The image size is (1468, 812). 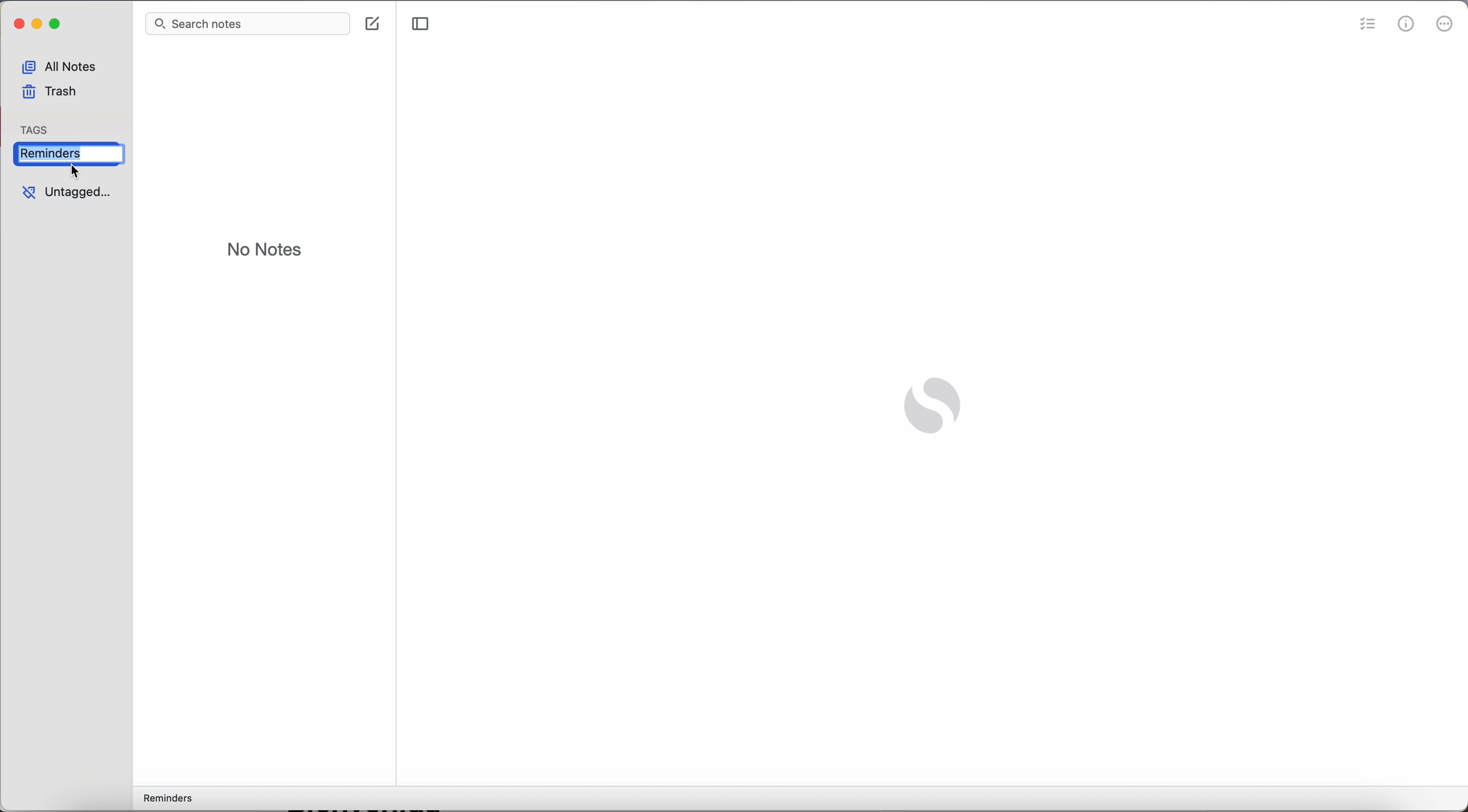 I want to click on tag, so click(x=36, y=126).